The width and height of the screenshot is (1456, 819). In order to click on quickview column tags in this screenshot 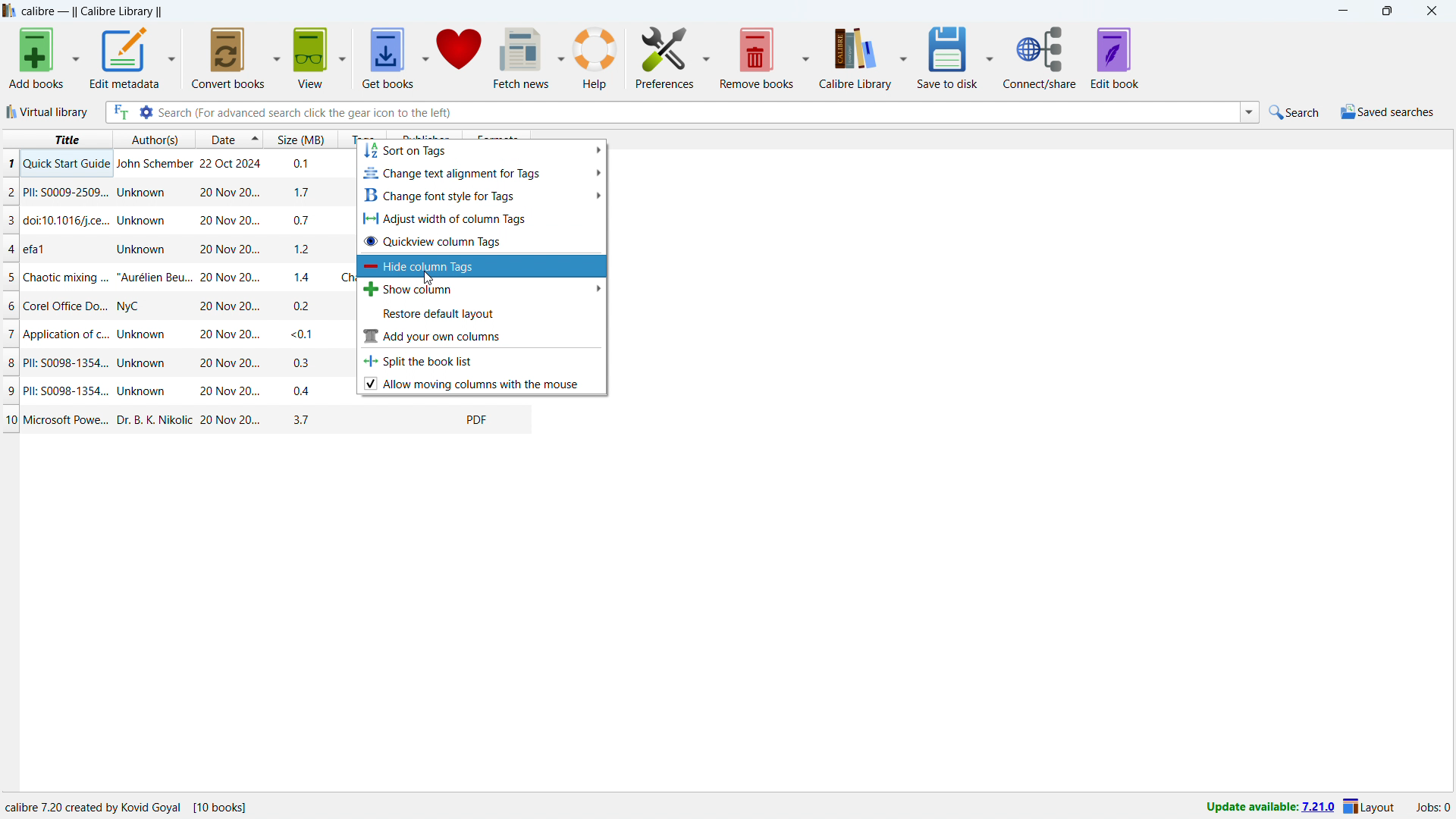, I will do `click(481, 240)`.